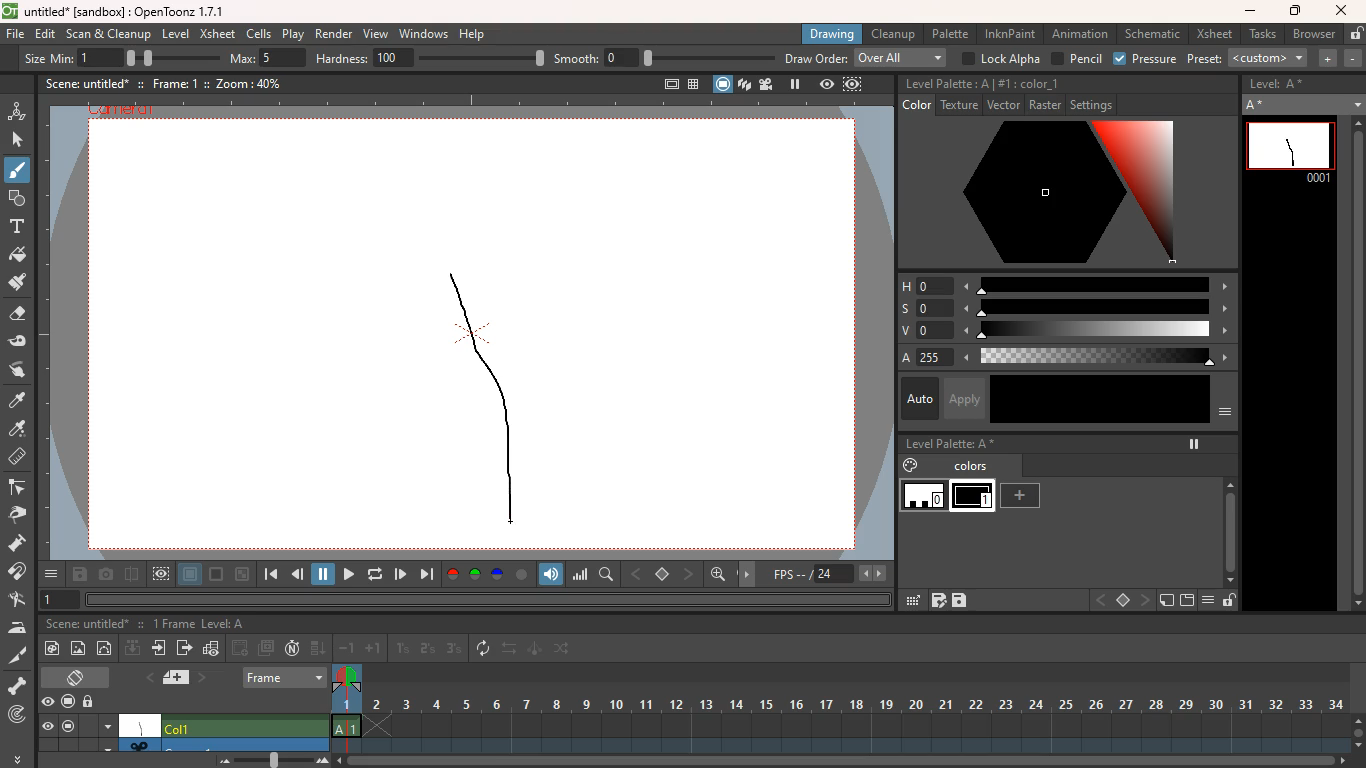 The height and width of the screenshot is (768, 1366). What do you see at coordinates (268, 648) in the screenshot?
I see `screens` at bounding box center [268, 648].